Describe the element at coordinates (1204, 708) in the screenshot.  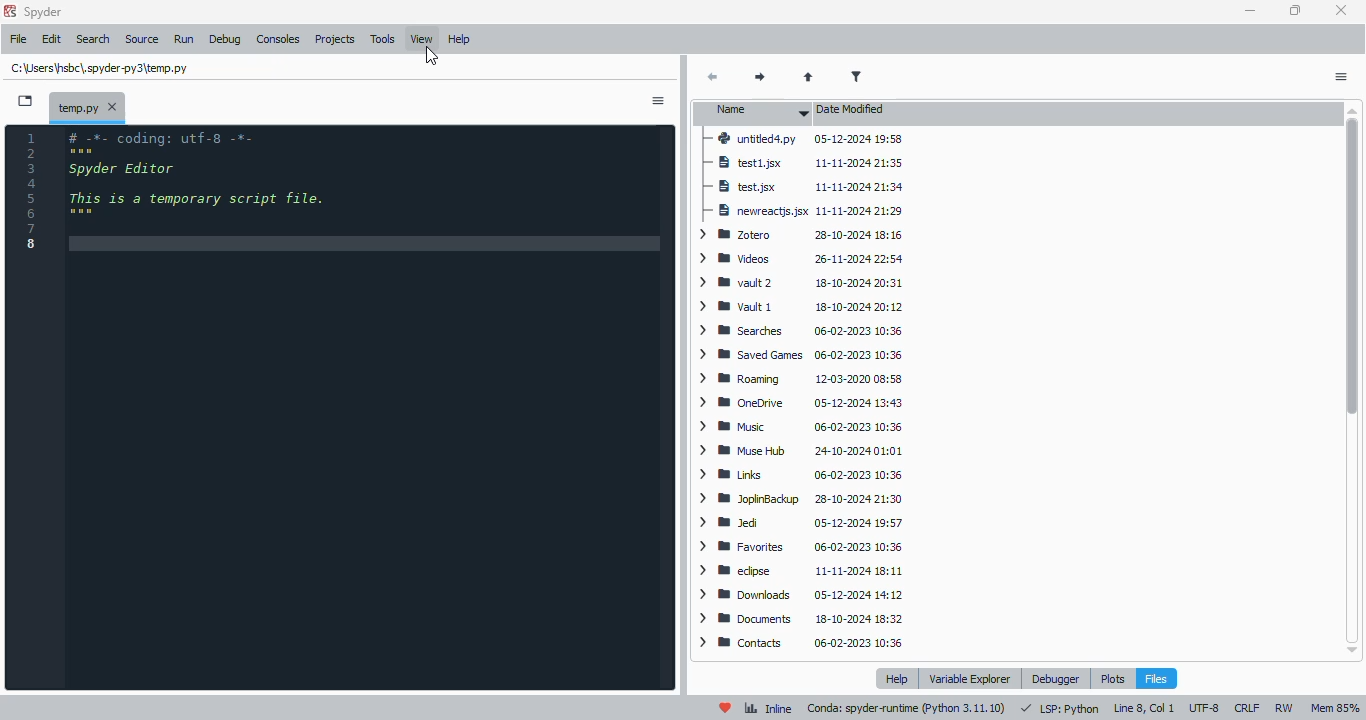
I see `UTF-8` at that location.